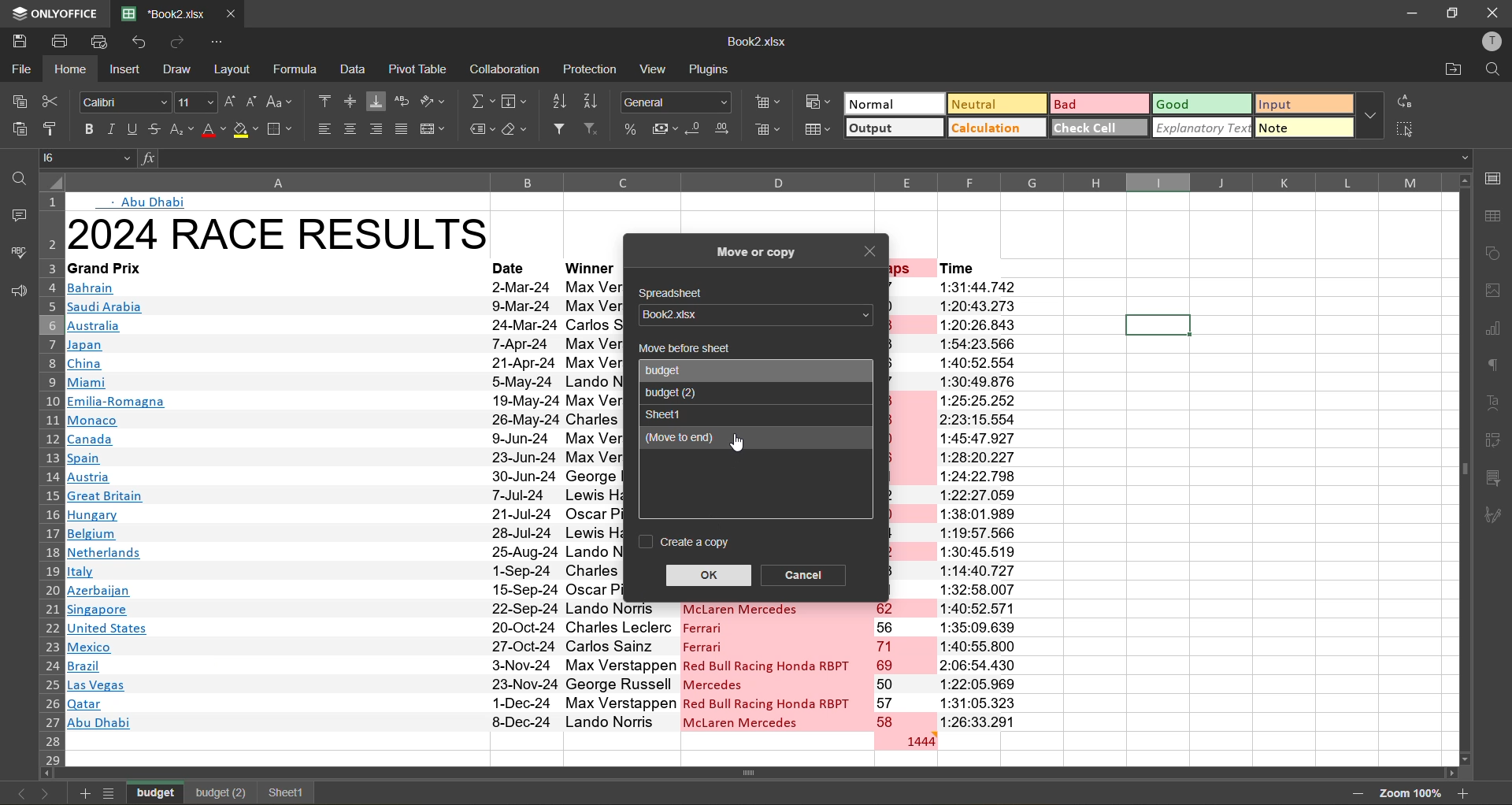 The height and width of the screenshot is (805, 1512). Describe the element at coordinates (147, 202) in the screenshot. I see `text` at that location.